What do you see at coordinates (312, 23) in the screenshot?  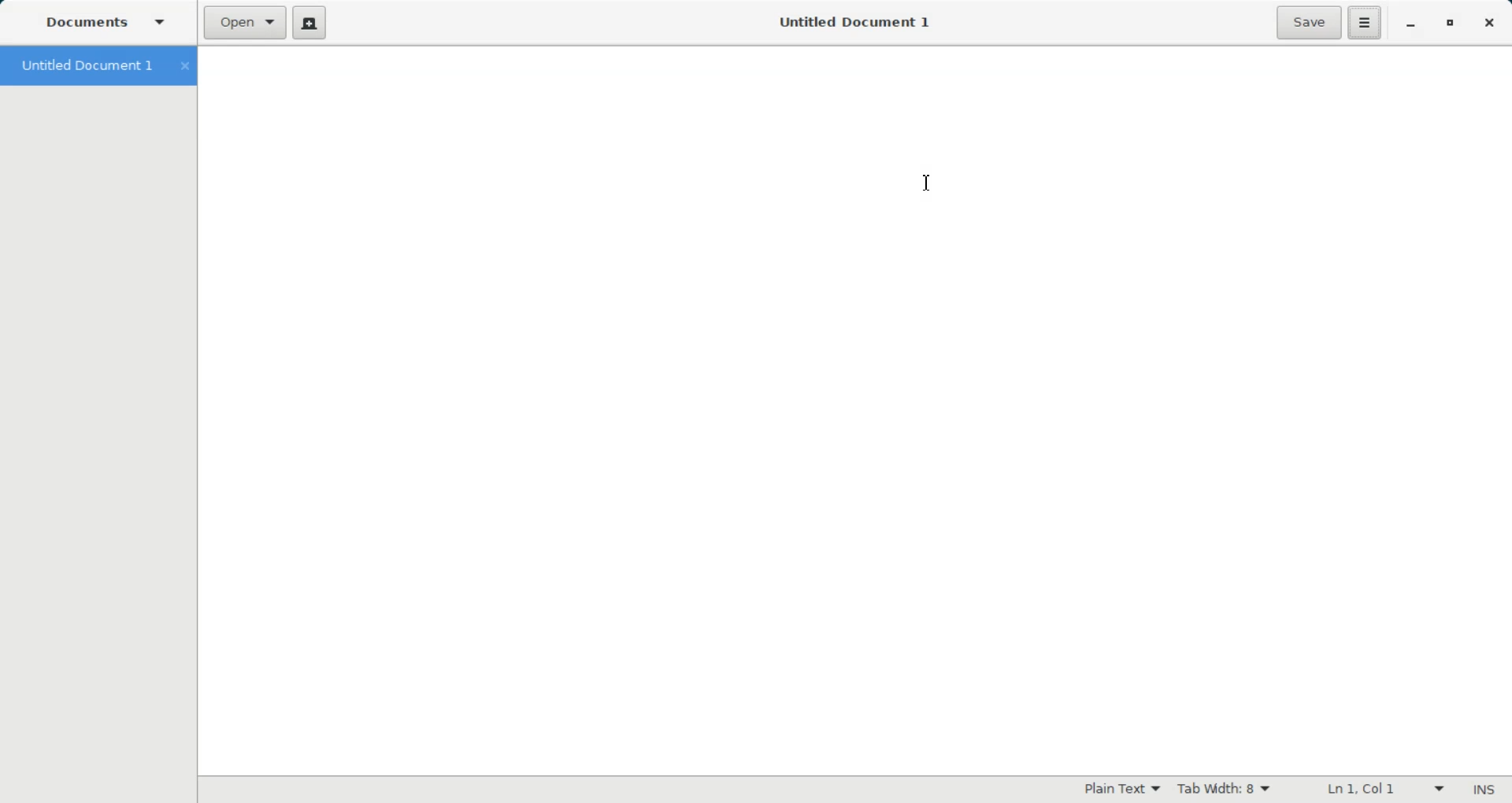 I see `Create a document` at bounding box center [312, 23].